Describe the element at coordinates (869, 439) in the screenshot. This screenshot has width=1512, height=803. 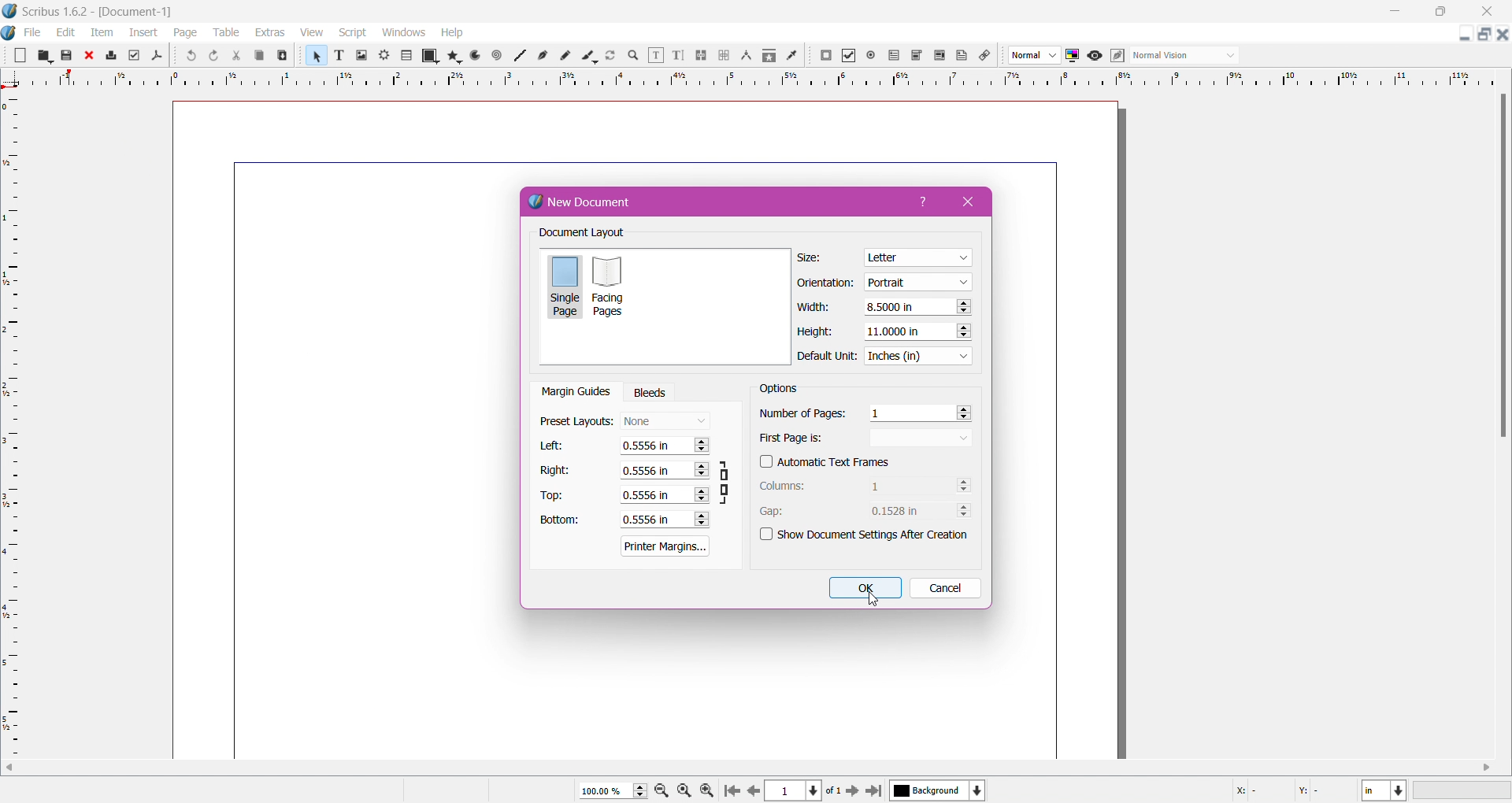
I see `first page specifier` at that location.